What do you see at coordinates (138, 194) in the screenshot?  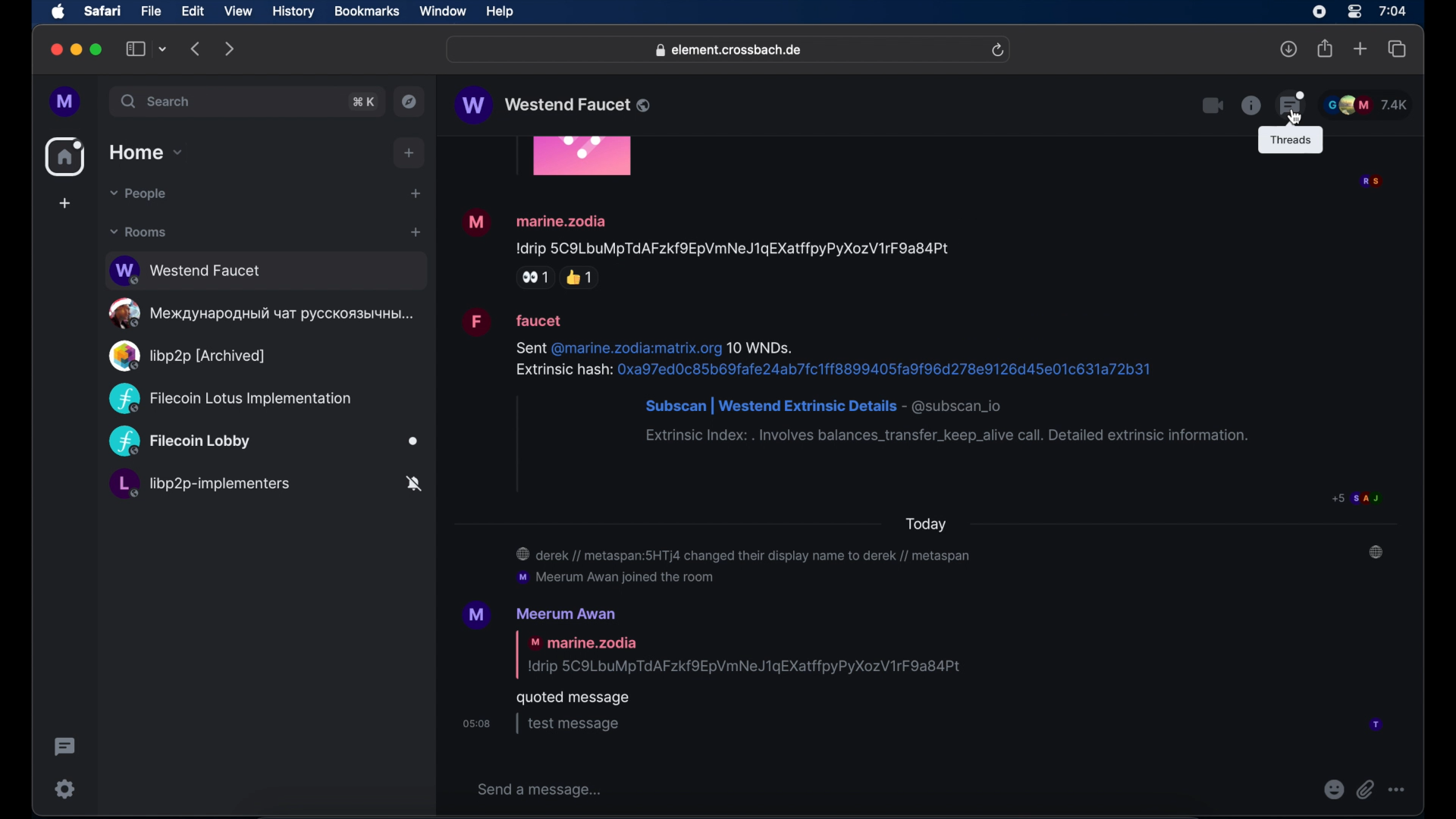 I see `people dropdown` at bounding box center [138, 194].